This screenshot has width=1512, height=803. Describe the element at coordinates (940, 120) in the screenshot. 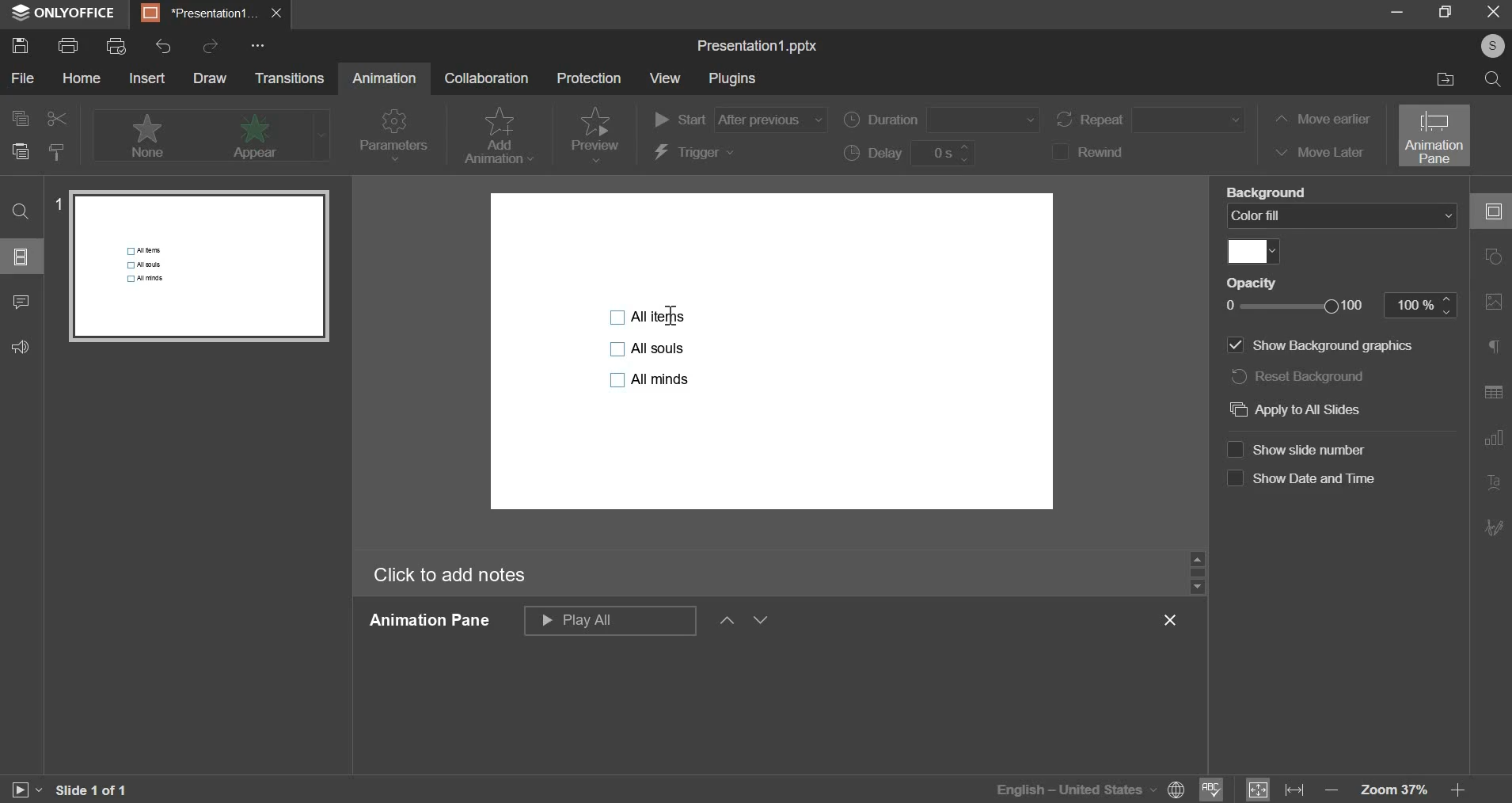

I see `duration` at that location.